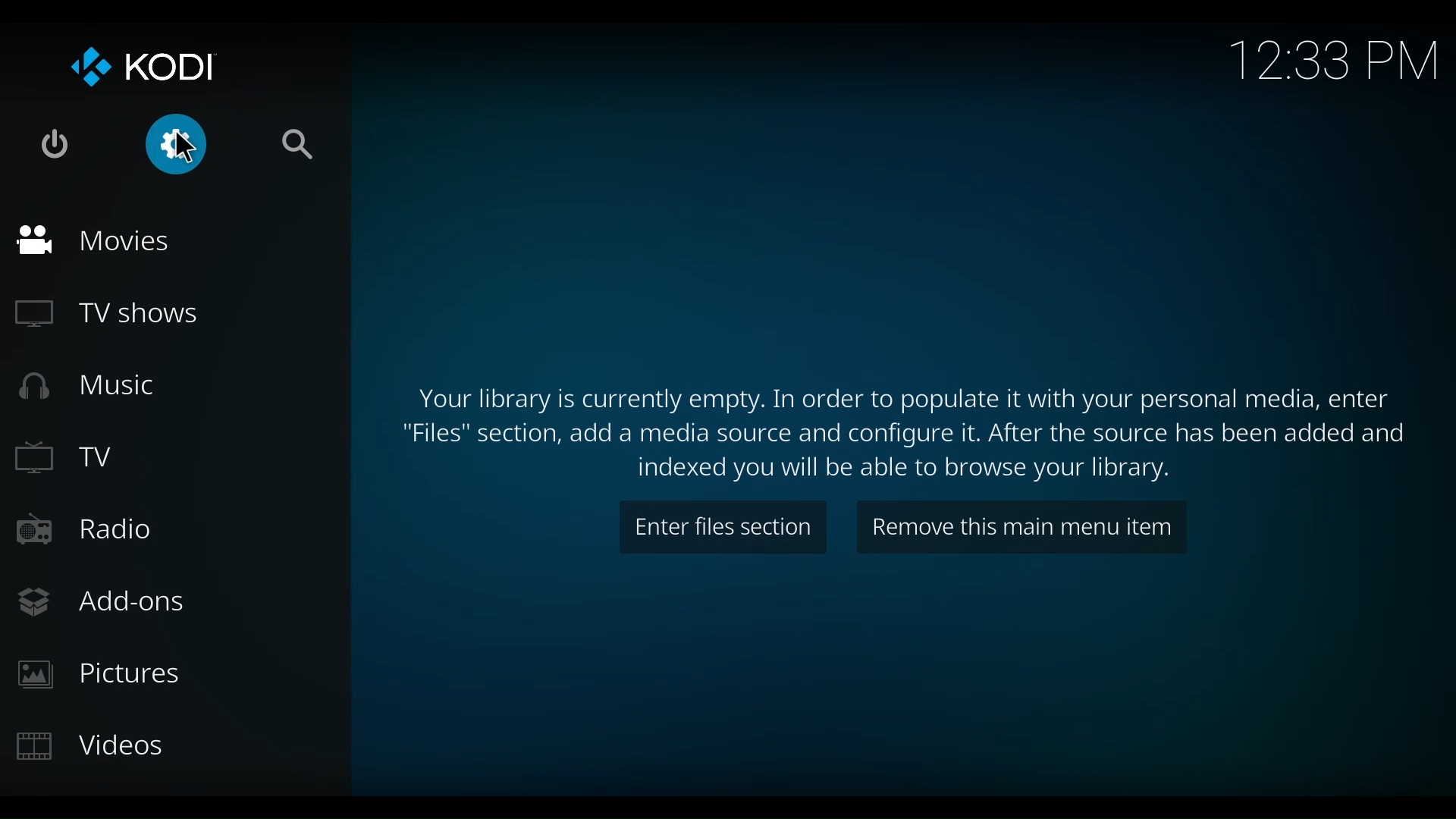 The image size is (1456, 819). Describe the element at coordinates (88, 528) in the screenshot. I see `Radio` at that location.